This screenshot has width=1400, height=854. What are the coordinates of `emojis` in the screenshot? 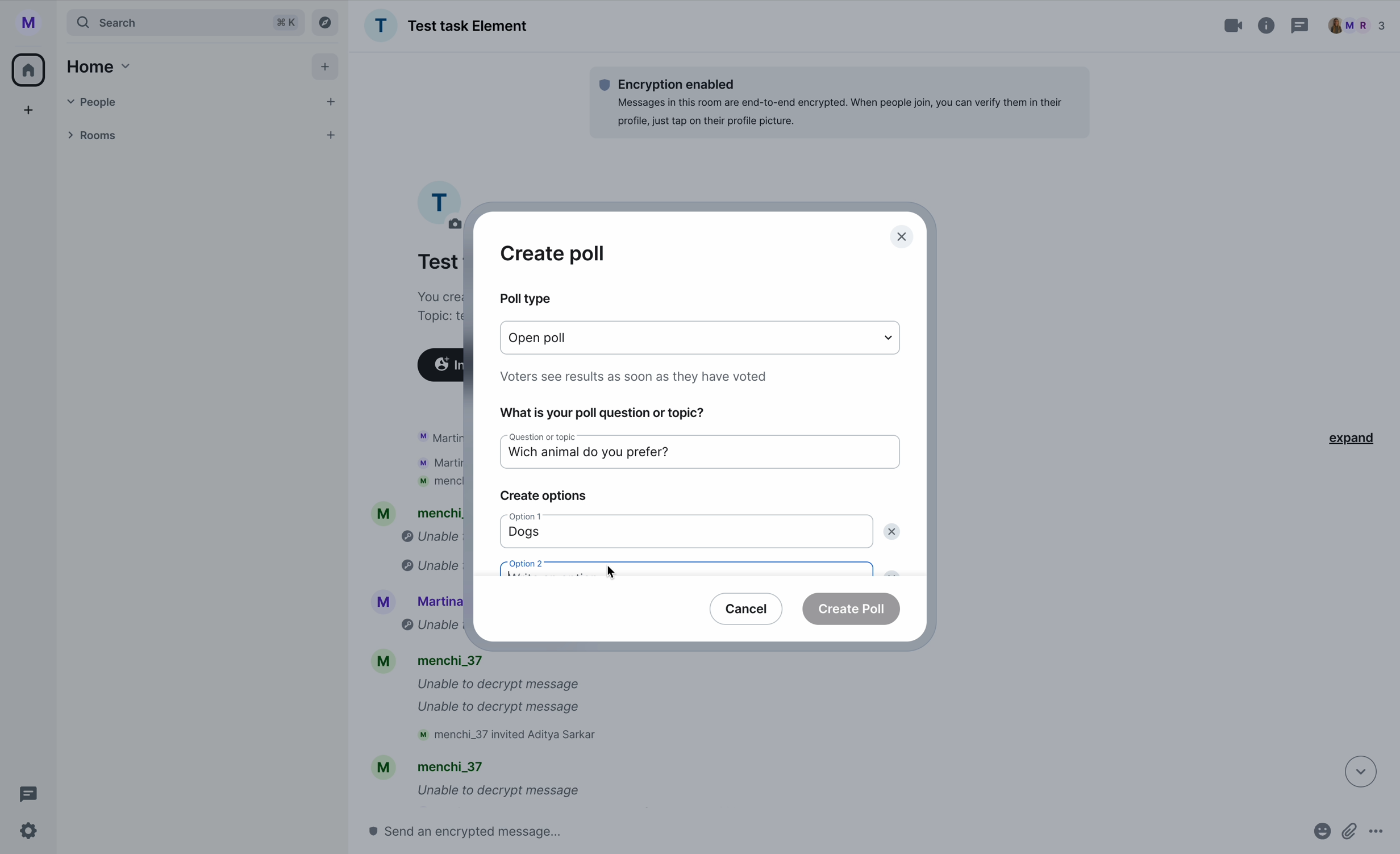 It's located at (1319, 836).